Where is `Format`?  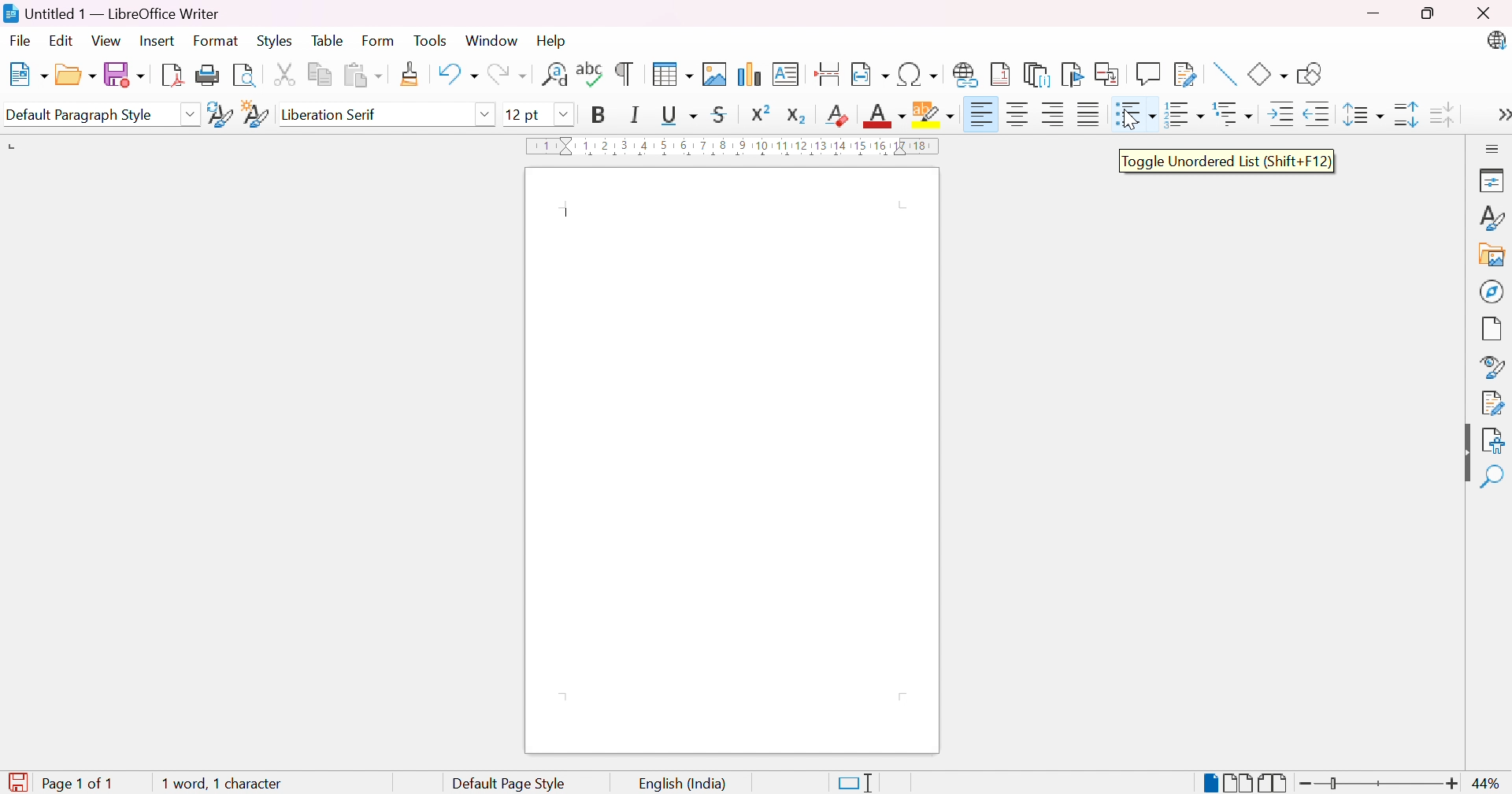 Format is located at coordinates (217, 41).